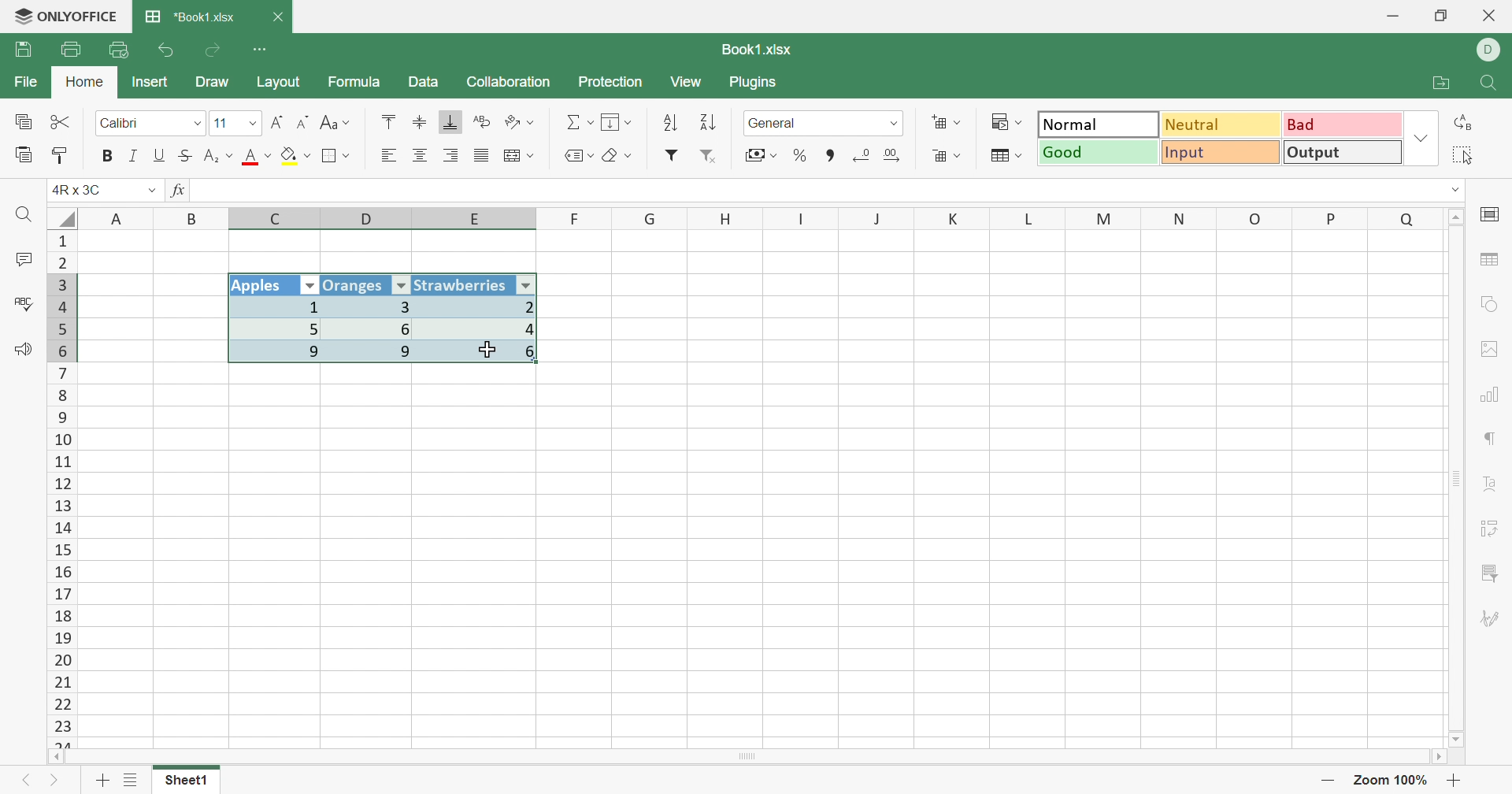  What do you see at coordinates (57, 756) in the screenshot?
I see `Scroll left` at bounding box center [57, 756].